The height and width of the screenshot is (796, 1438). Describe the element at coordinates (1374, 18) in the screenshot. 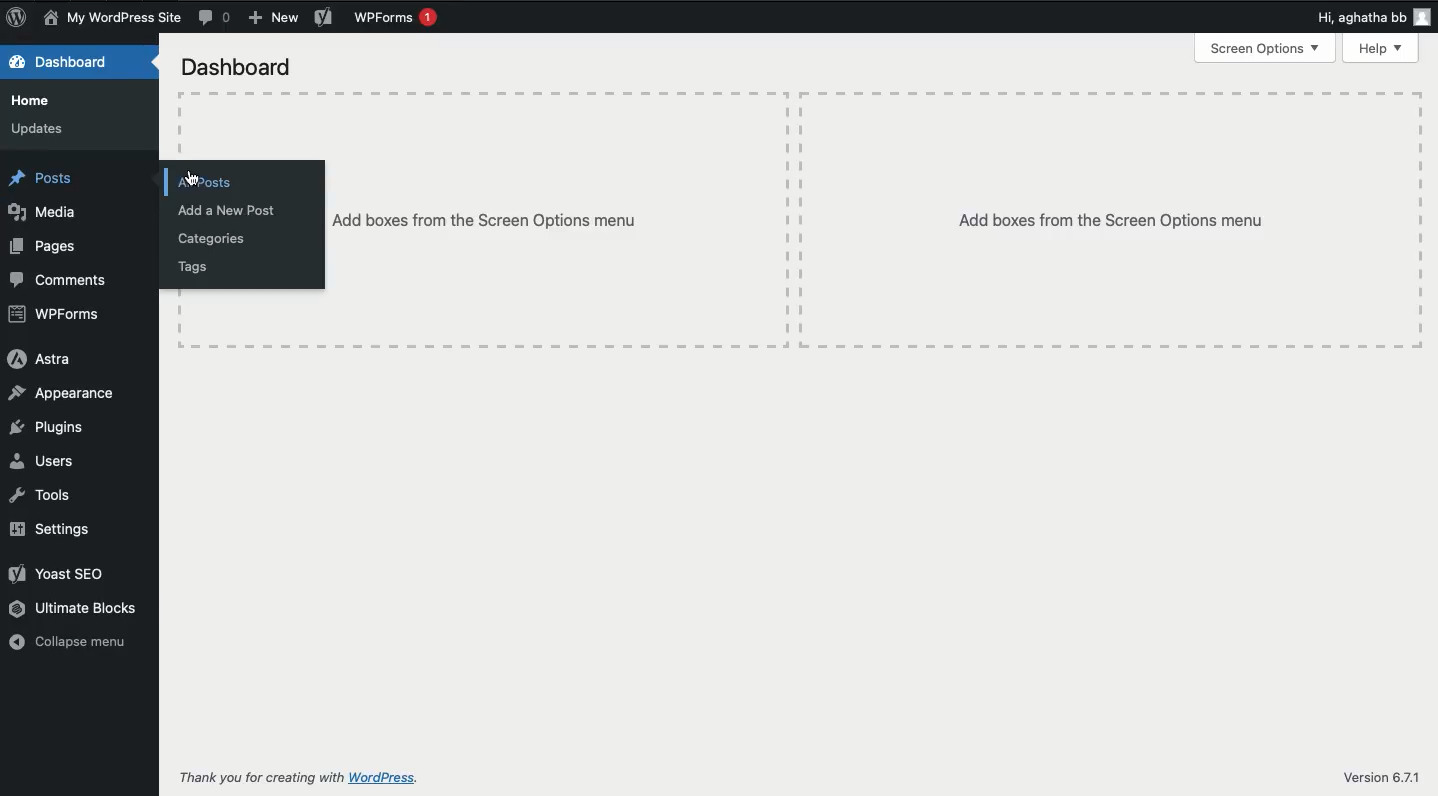

I see `Hi user` at that location.